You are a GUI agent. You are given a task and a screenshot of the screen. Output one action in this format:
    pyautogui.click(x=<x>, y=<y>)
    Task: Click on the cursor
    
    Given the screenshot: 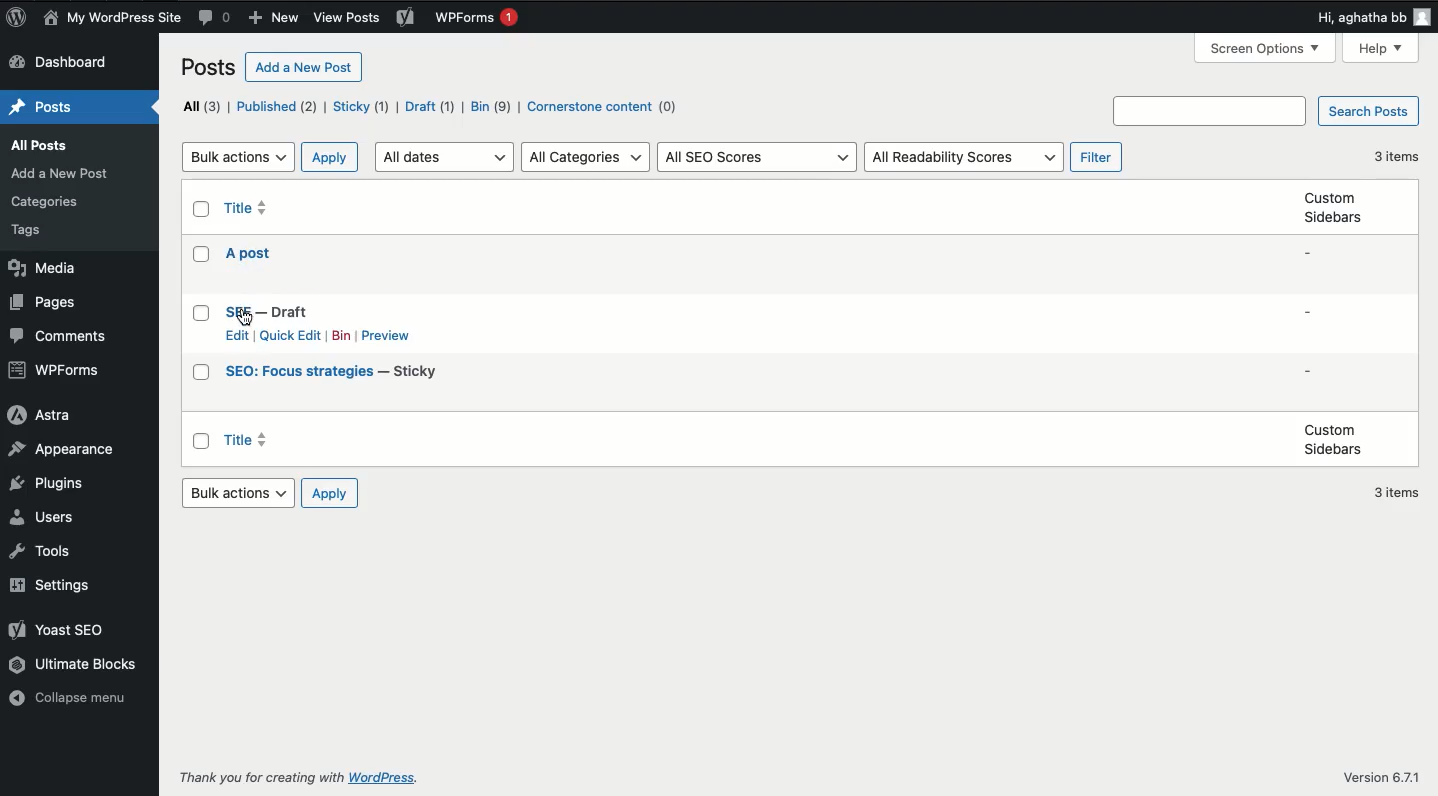 What is the action you would take?
    pyautogui.click(x=244, y=316)
    